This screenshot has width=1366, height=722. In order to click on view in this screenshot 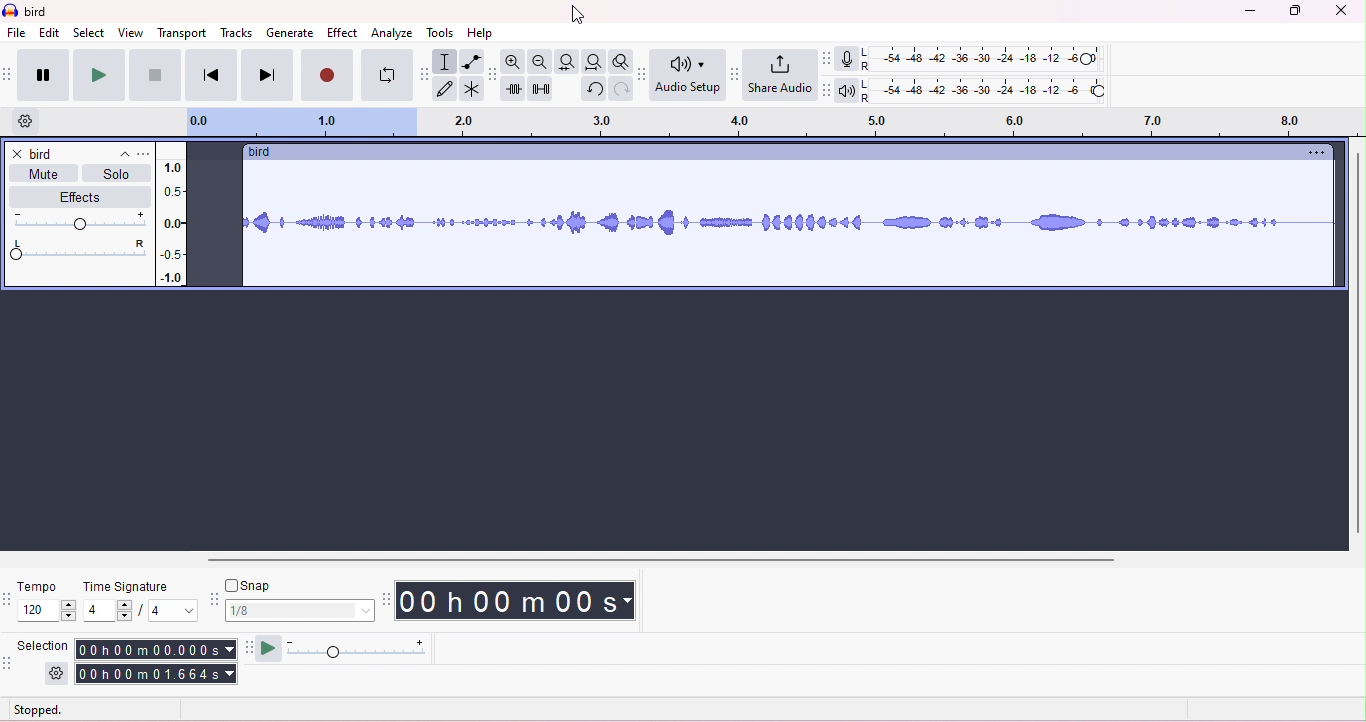, I will do `click(131, 32)`.